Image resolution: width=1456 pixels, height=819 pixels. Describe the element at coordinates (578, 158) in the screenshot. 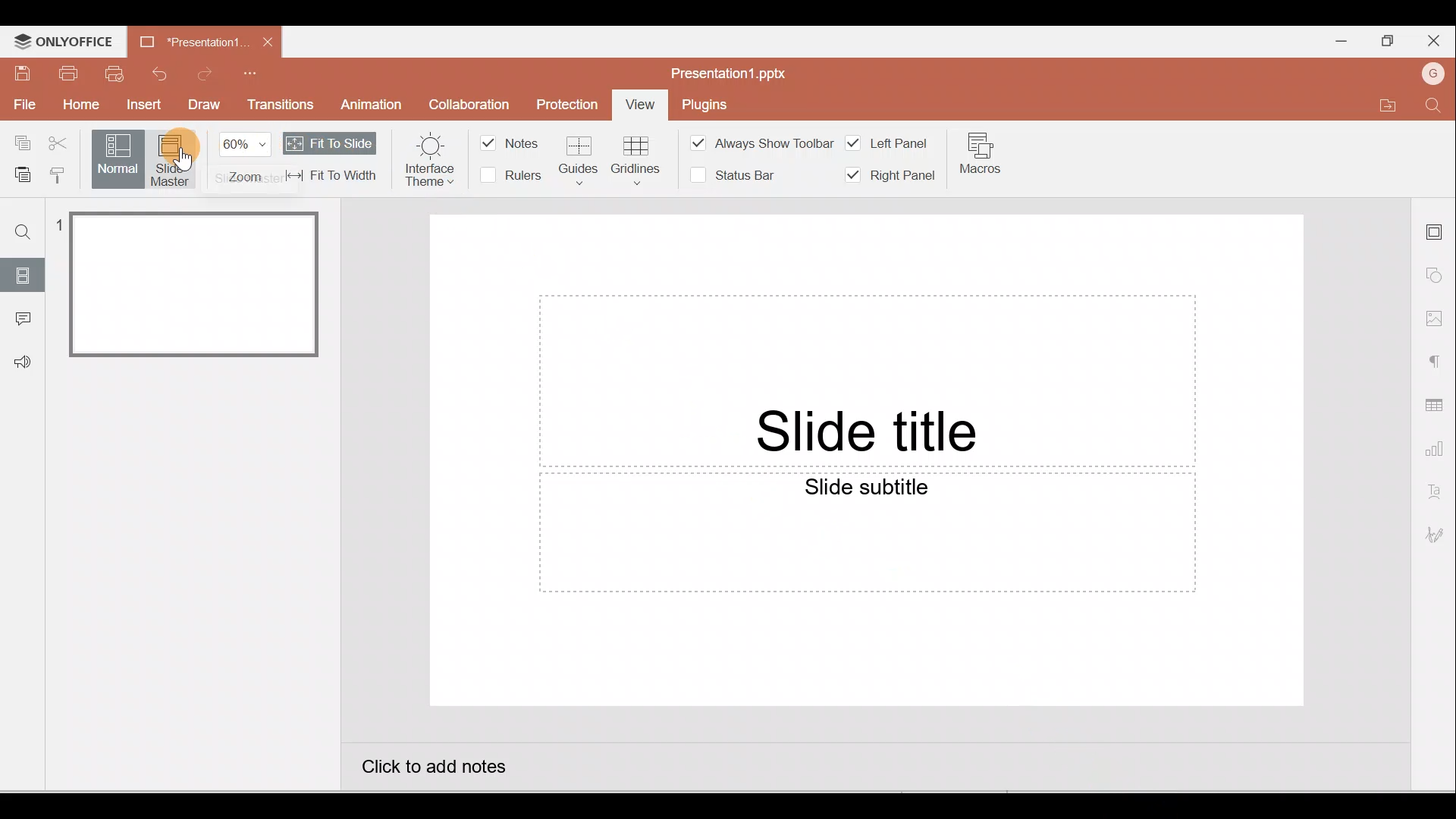

I see `Guides` at that location.